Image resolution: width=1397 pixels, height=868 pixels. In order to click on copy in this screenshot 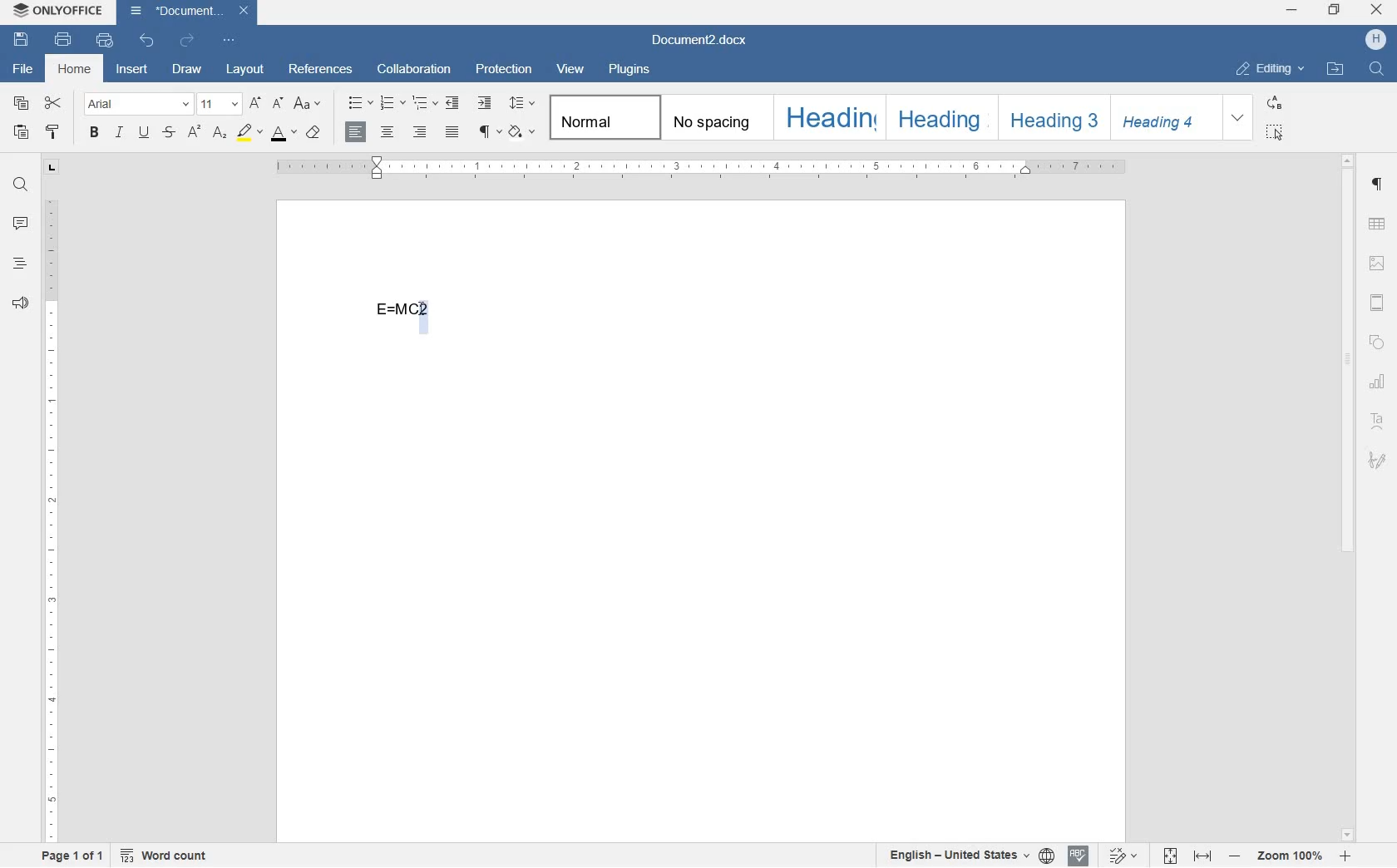, I will do `click(22, 105)`.